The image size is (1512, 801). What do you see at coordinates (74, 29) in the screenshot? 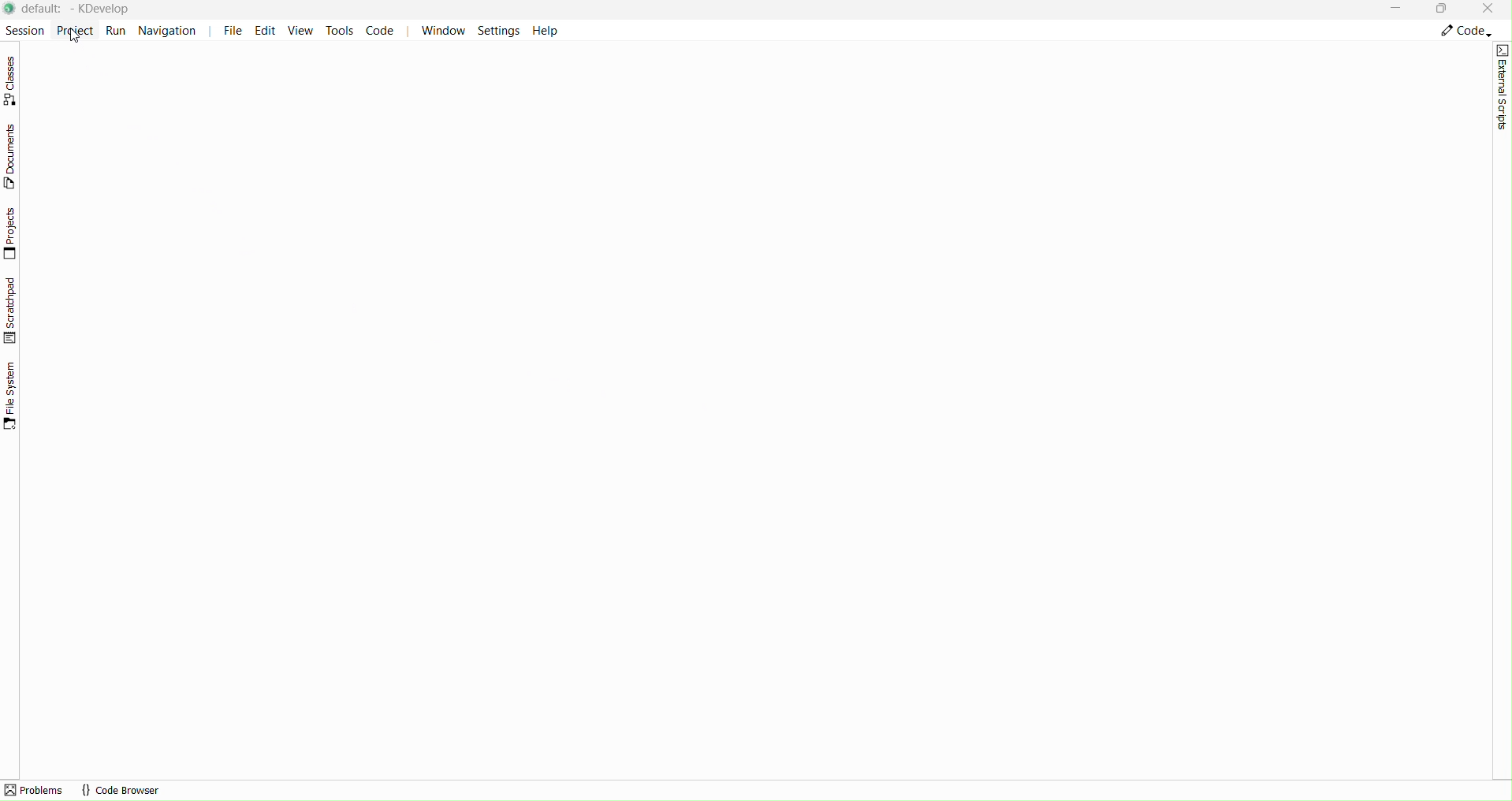
I see `Project` at bounding box center [74, 29].